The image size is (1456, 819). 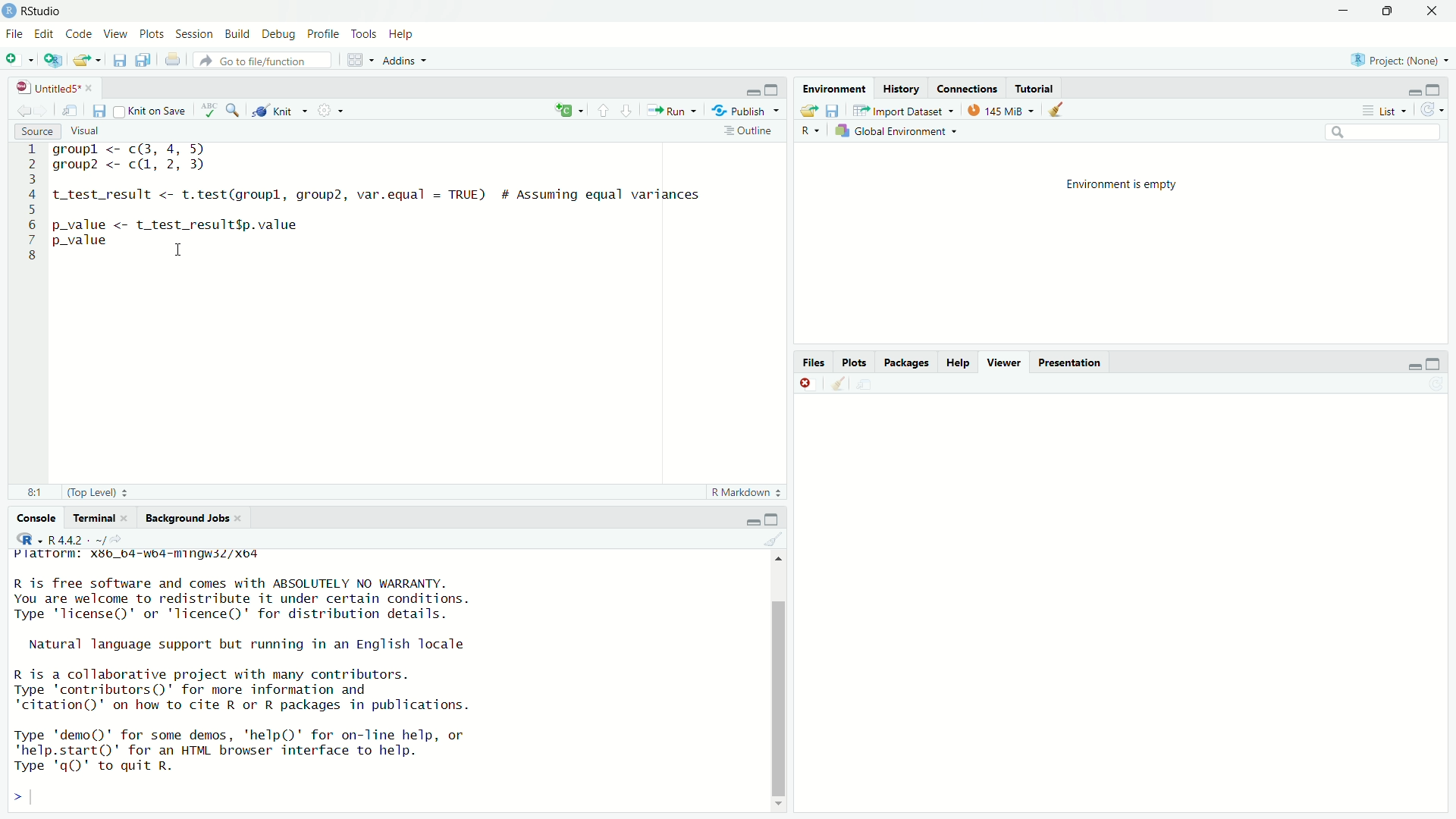 What do you see at coordinates (366, 33) in the screenshot?
I see `Tools` at bounding box center [366, 33].